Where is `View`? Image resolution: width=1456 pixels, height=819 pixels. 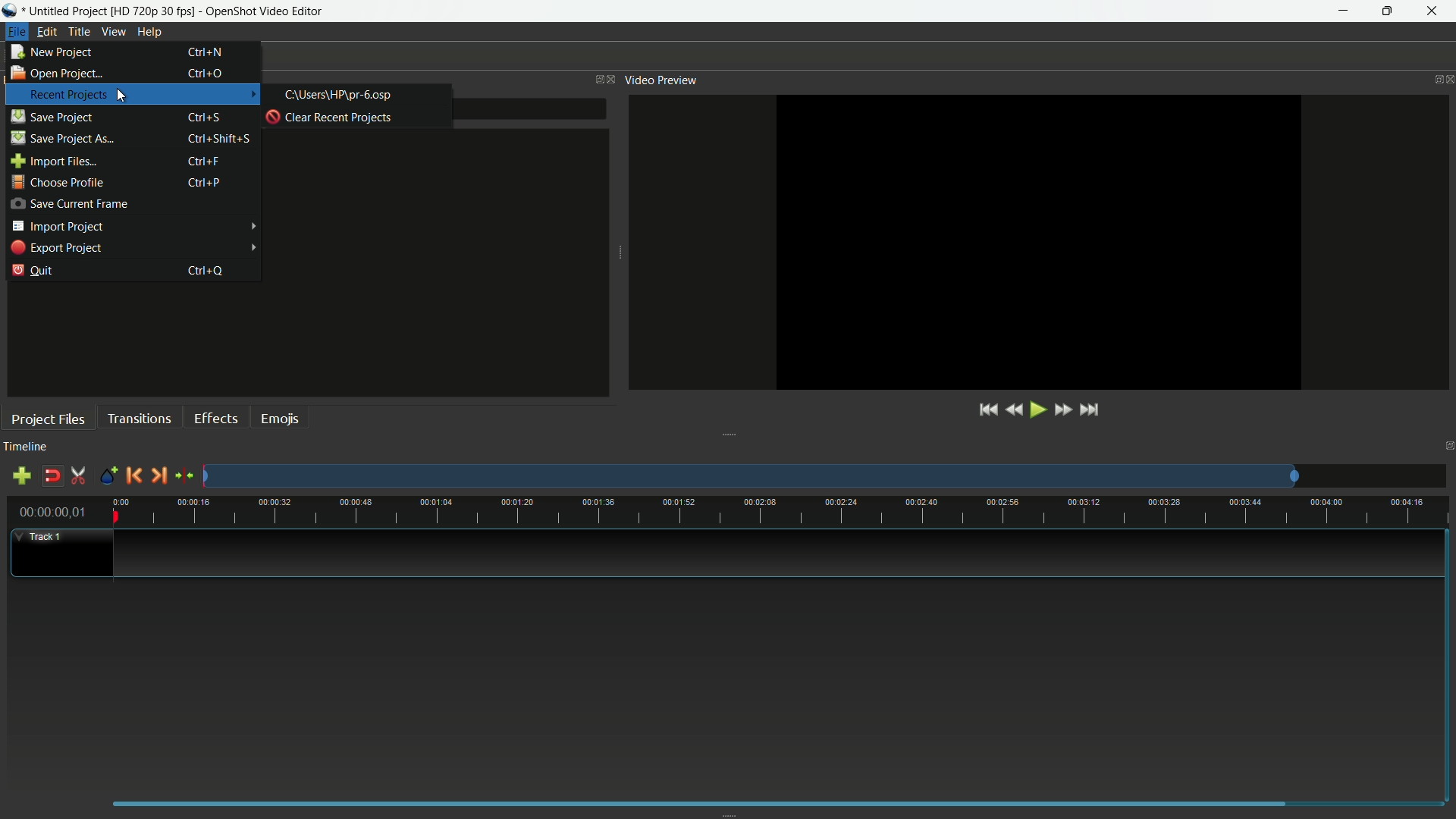
View is located at coordinates (115, 32).